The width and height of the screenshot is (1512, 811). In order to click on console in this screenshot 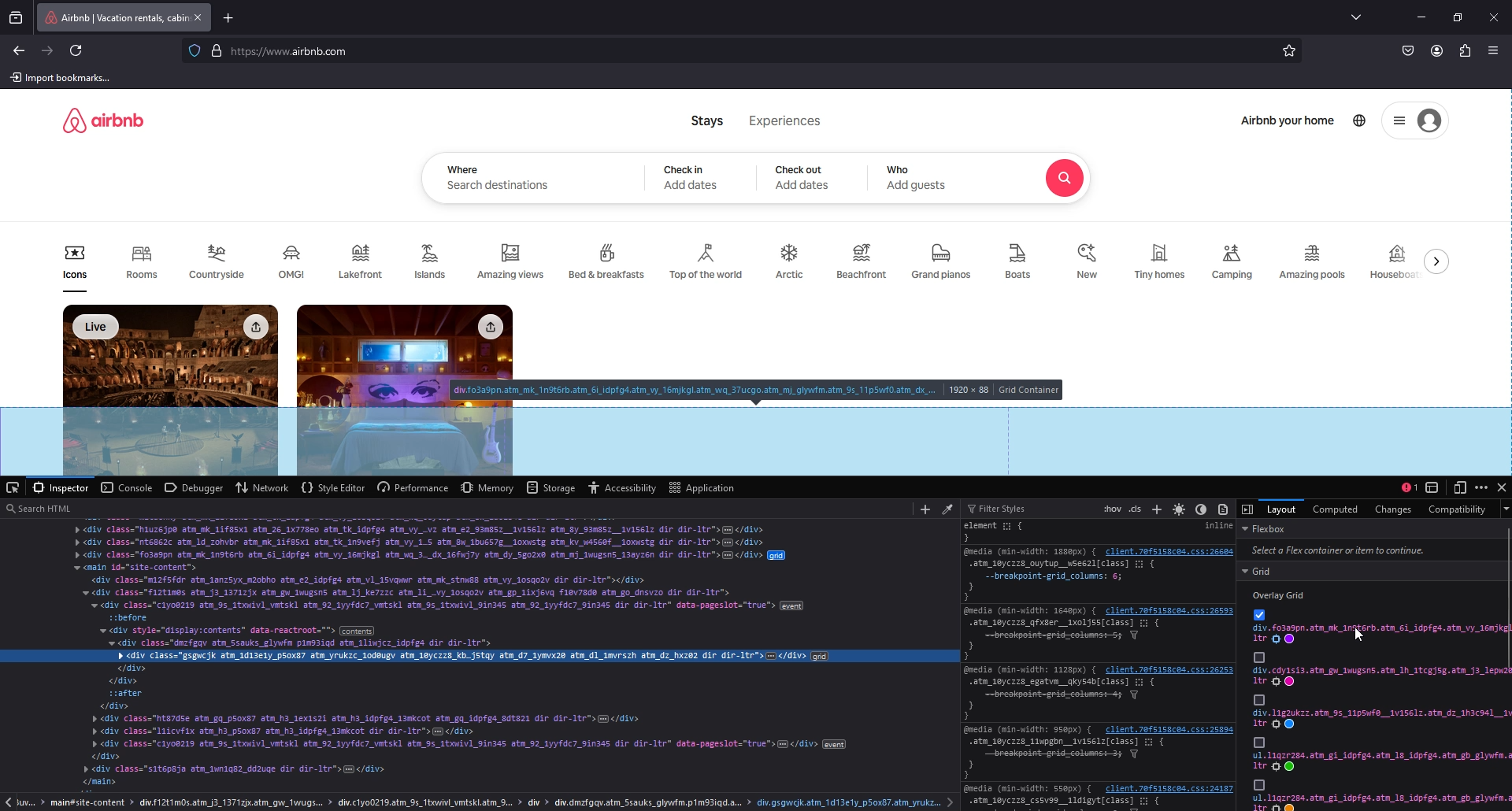, I will do `click(125, 487)`.